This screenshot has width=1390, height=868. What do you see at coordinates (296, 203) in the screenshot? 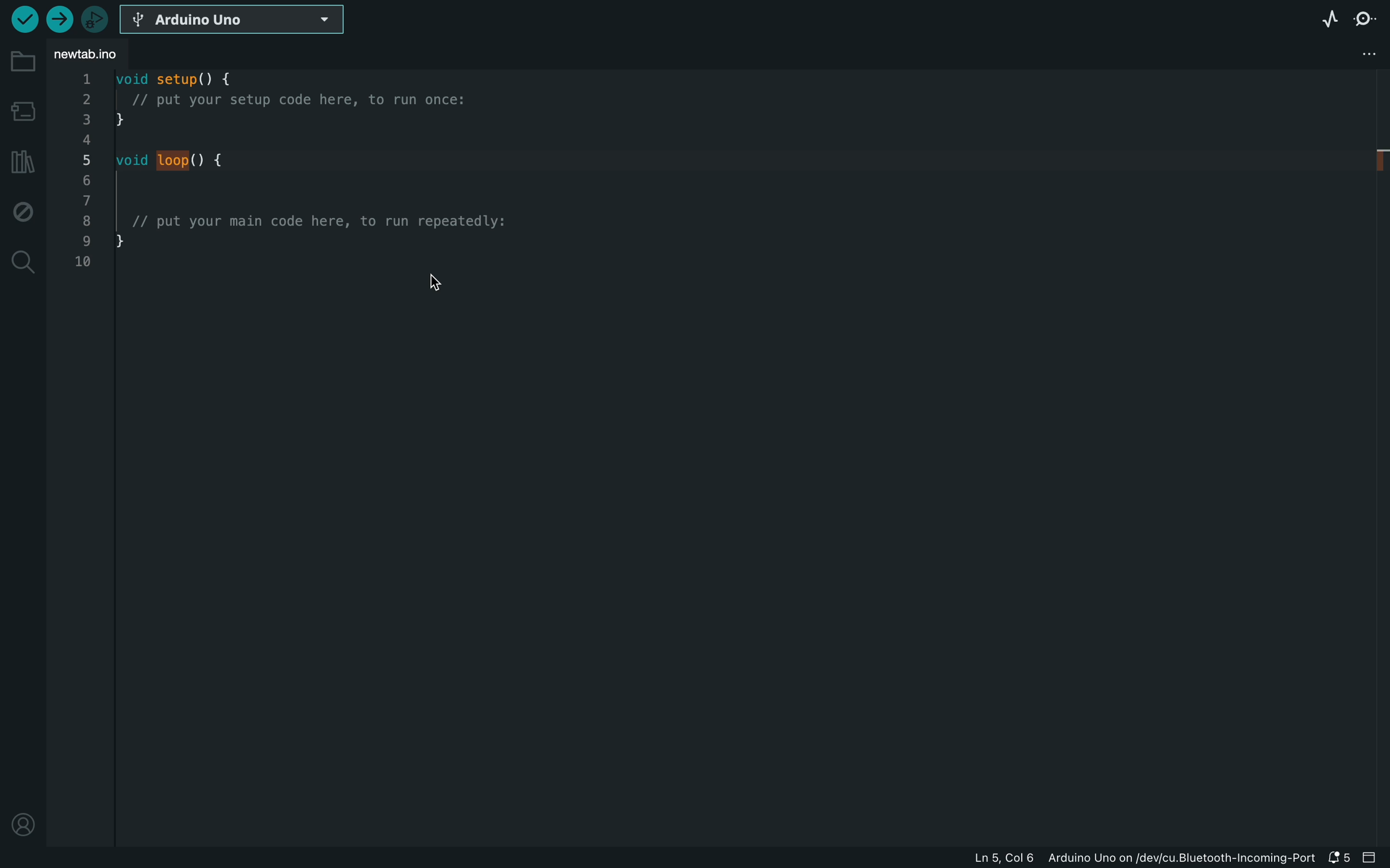
I see `code` at bounding box center [296, 203].